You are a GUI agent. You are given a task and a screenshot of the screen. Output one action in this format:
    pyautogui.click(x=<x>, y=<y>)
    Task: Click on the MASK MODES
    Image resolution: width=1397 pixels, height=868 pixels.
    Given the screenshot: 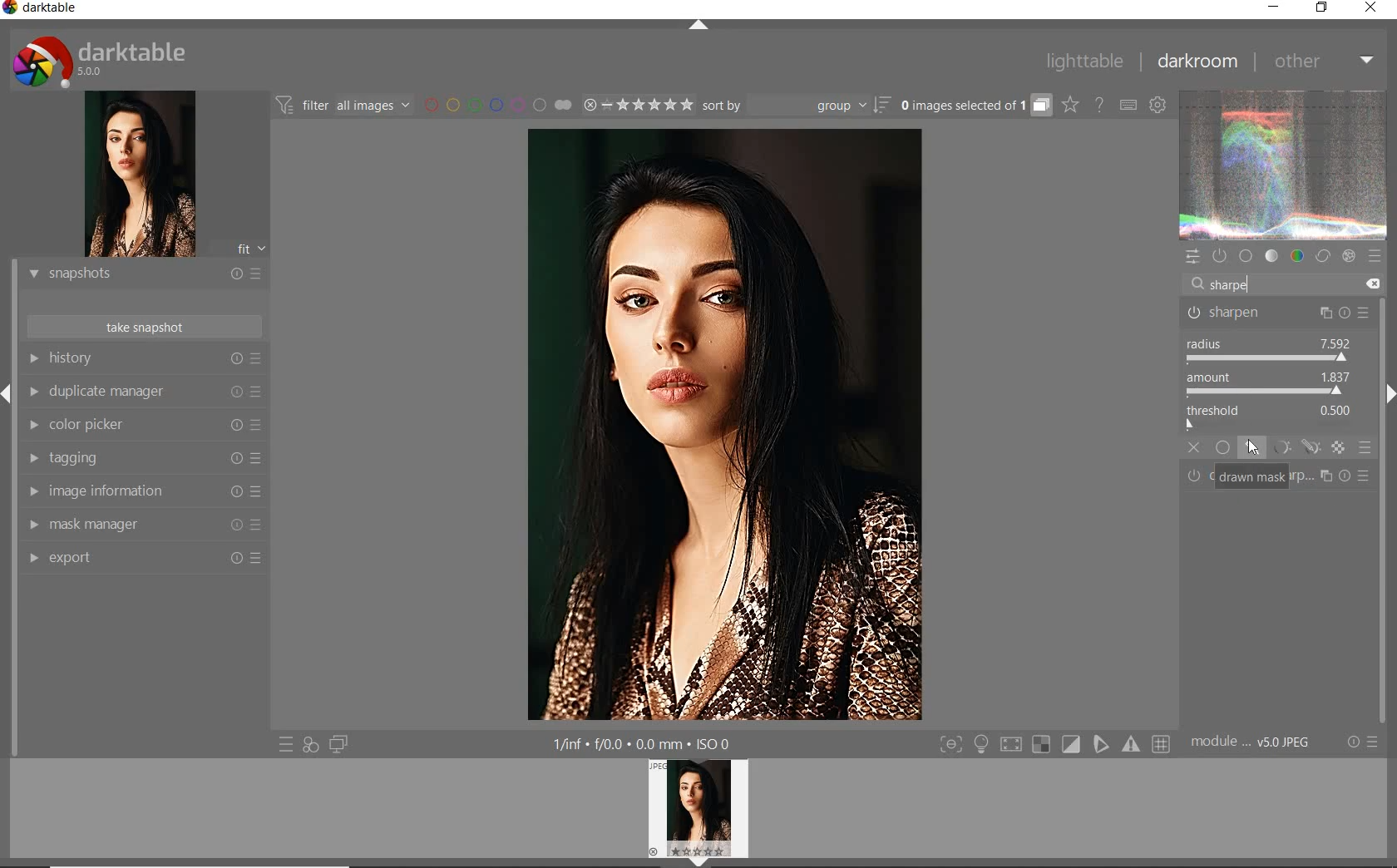 What is the action you would take?
    pyautogui.click(x=1292, y=447)
    